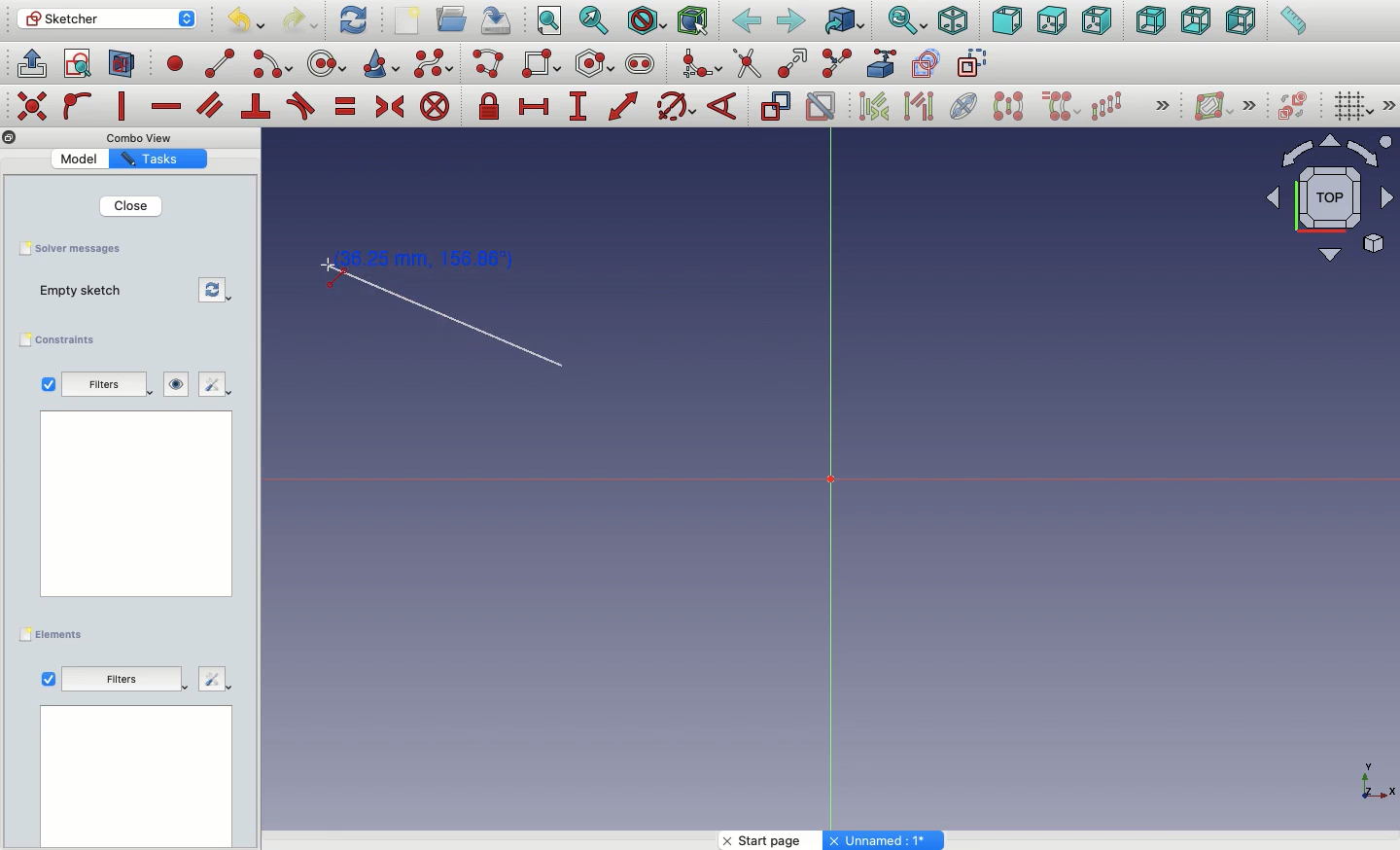 The width and height of the screenshot is (1400, 850). I want to click on Show/hide B-spline information layer, so click(1213, 106).